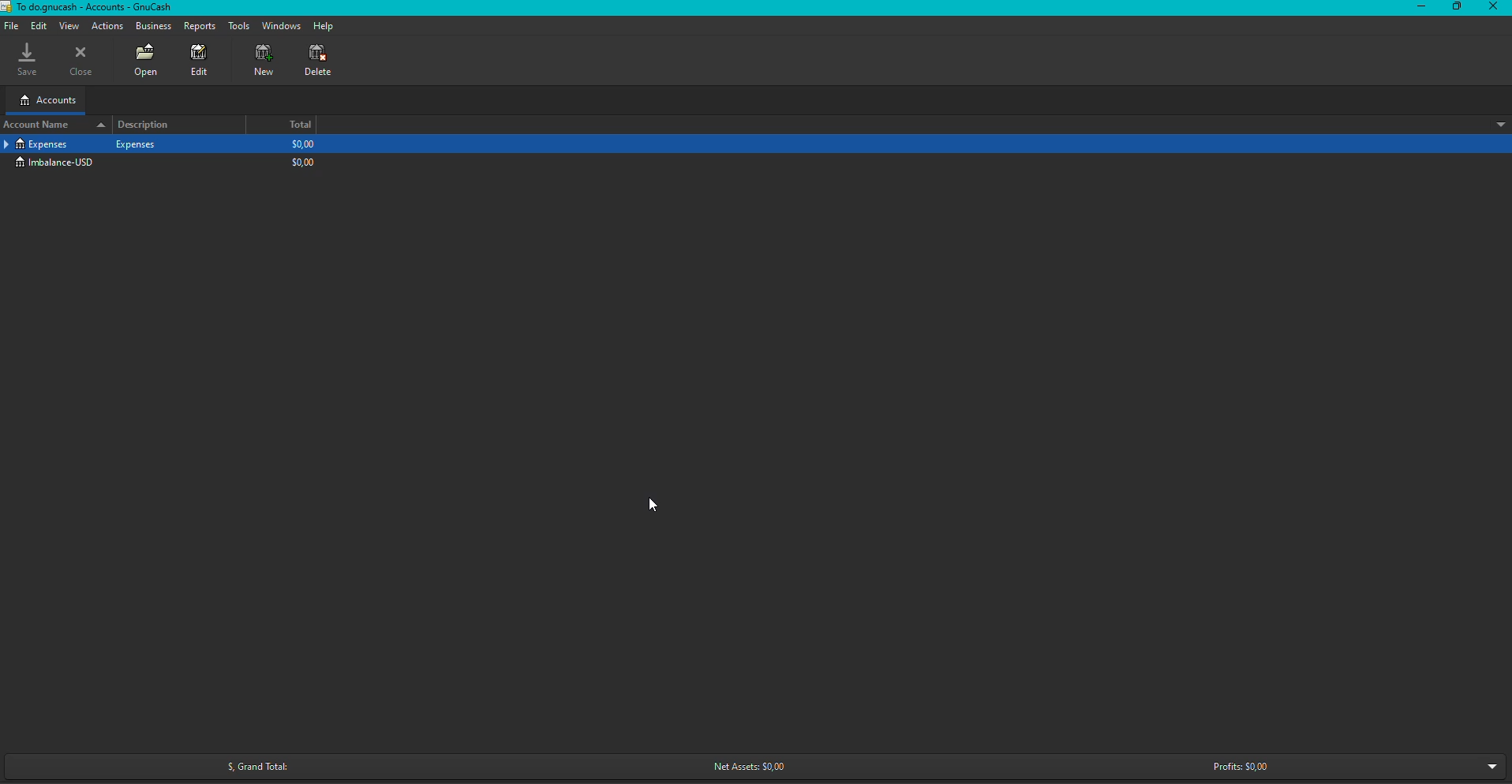 This screenshot has height=784, width=1512. Describe the element at coordinates (262, 63) in the screenshot. I see `New` at that location.